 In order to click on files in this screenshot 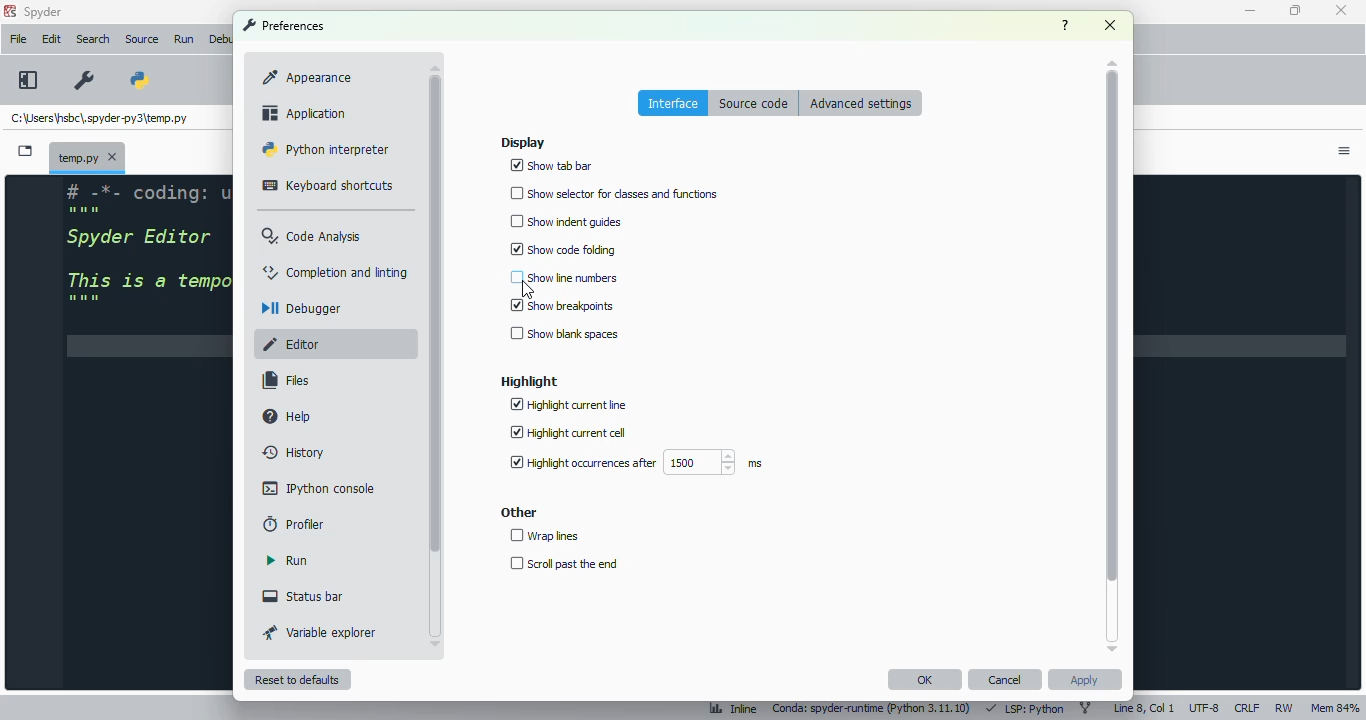, I will do `click(285, 381)`.